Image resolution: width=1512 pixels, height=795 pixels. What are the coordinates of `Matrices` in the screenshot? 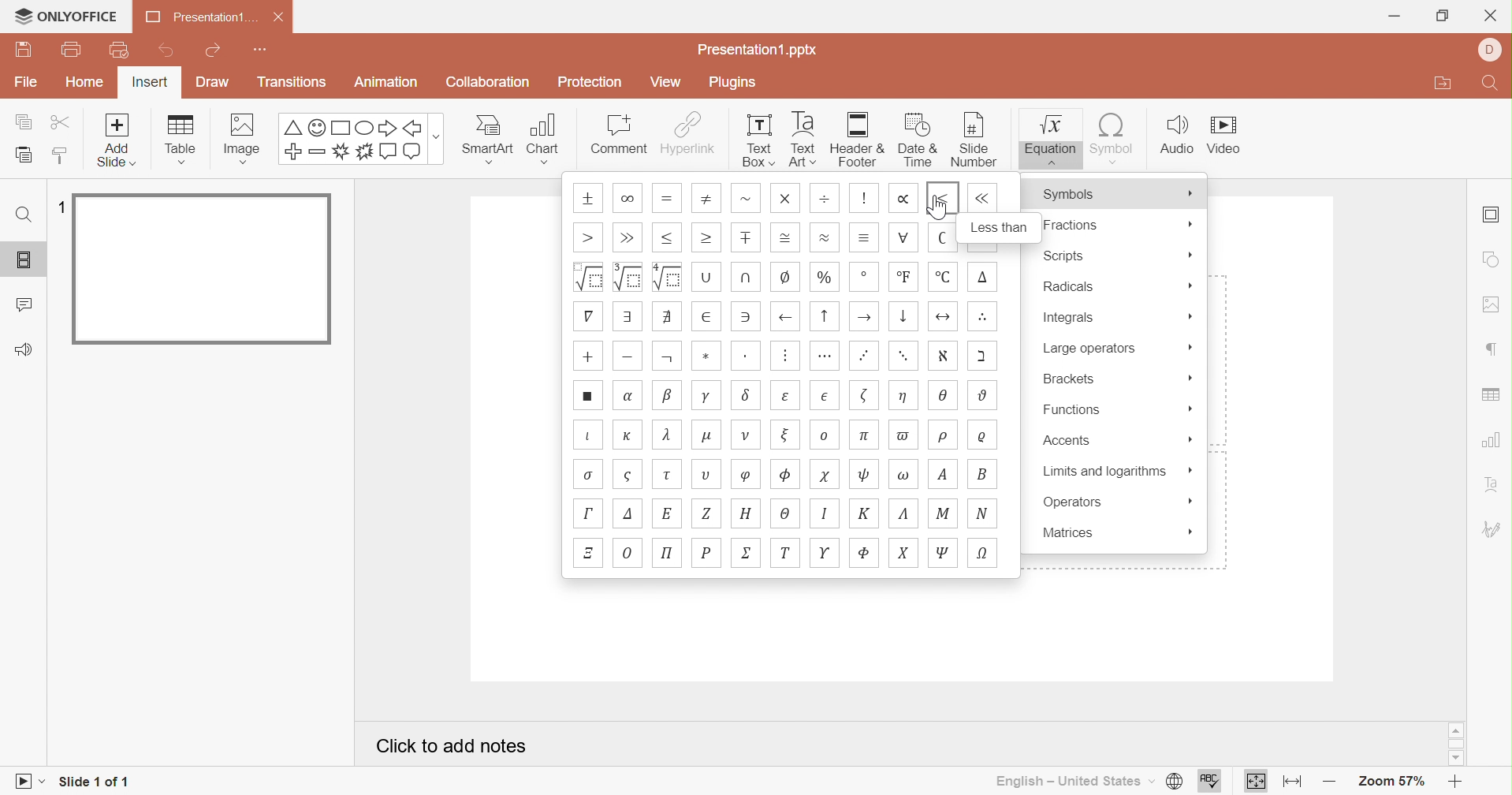 It's located at (1119, 532).